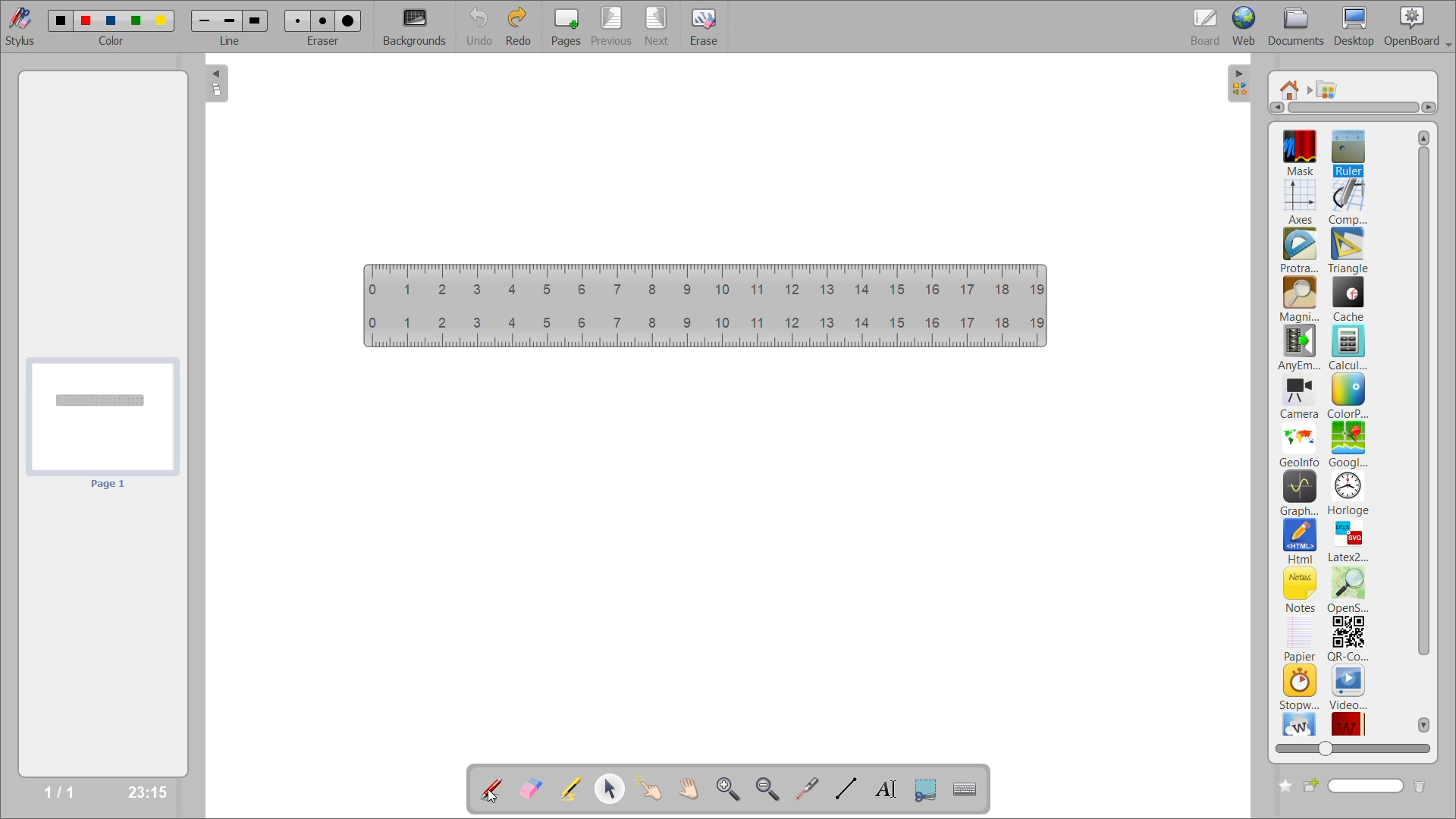 The width and height of the screenshot is (1456, 819). What do you see at coordinates (86, 20) in the screenshot?
I see `color 2` at bounding box center [86, 20].